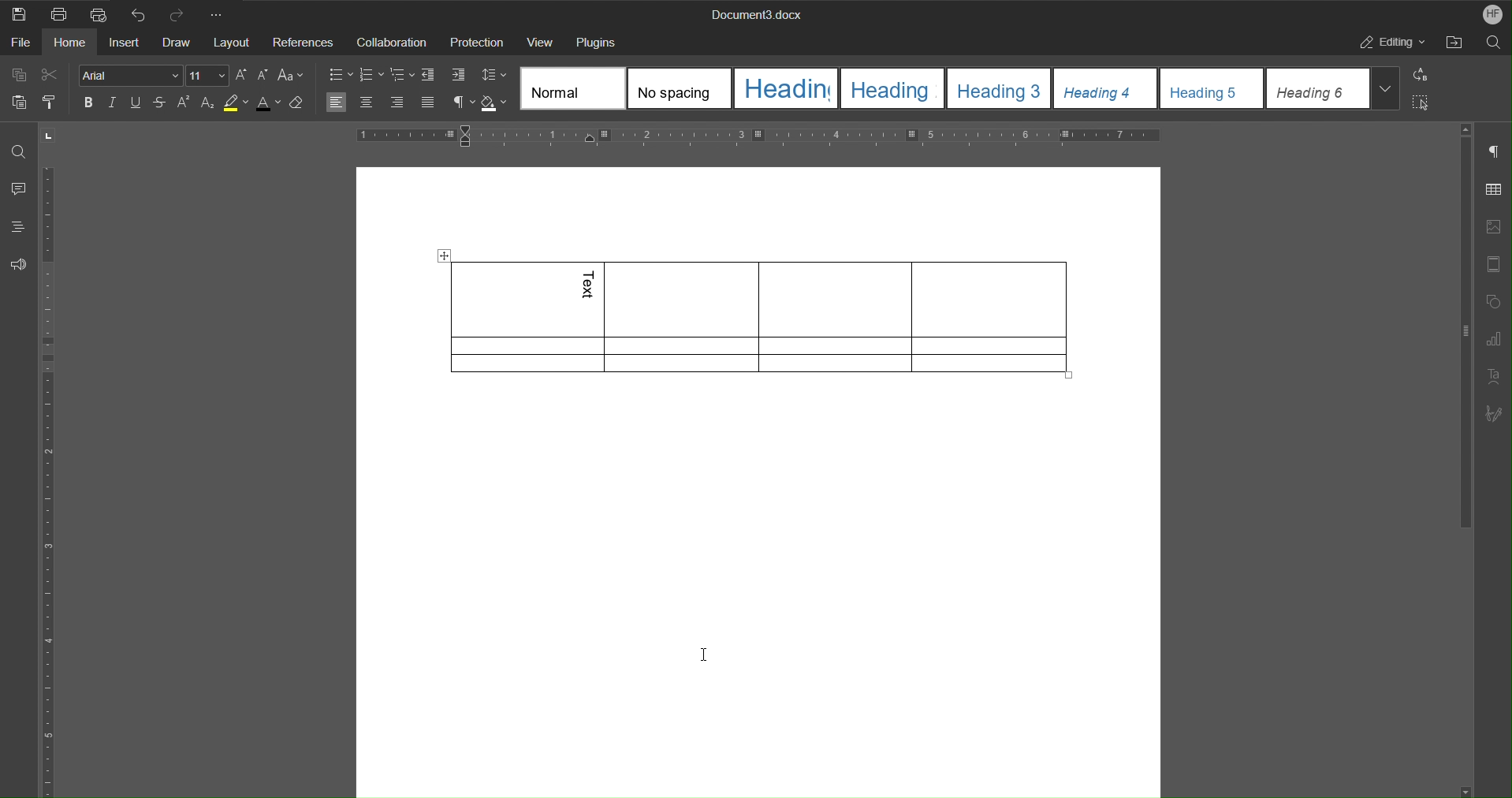  I want to click on No spacing, so click(680, 89).